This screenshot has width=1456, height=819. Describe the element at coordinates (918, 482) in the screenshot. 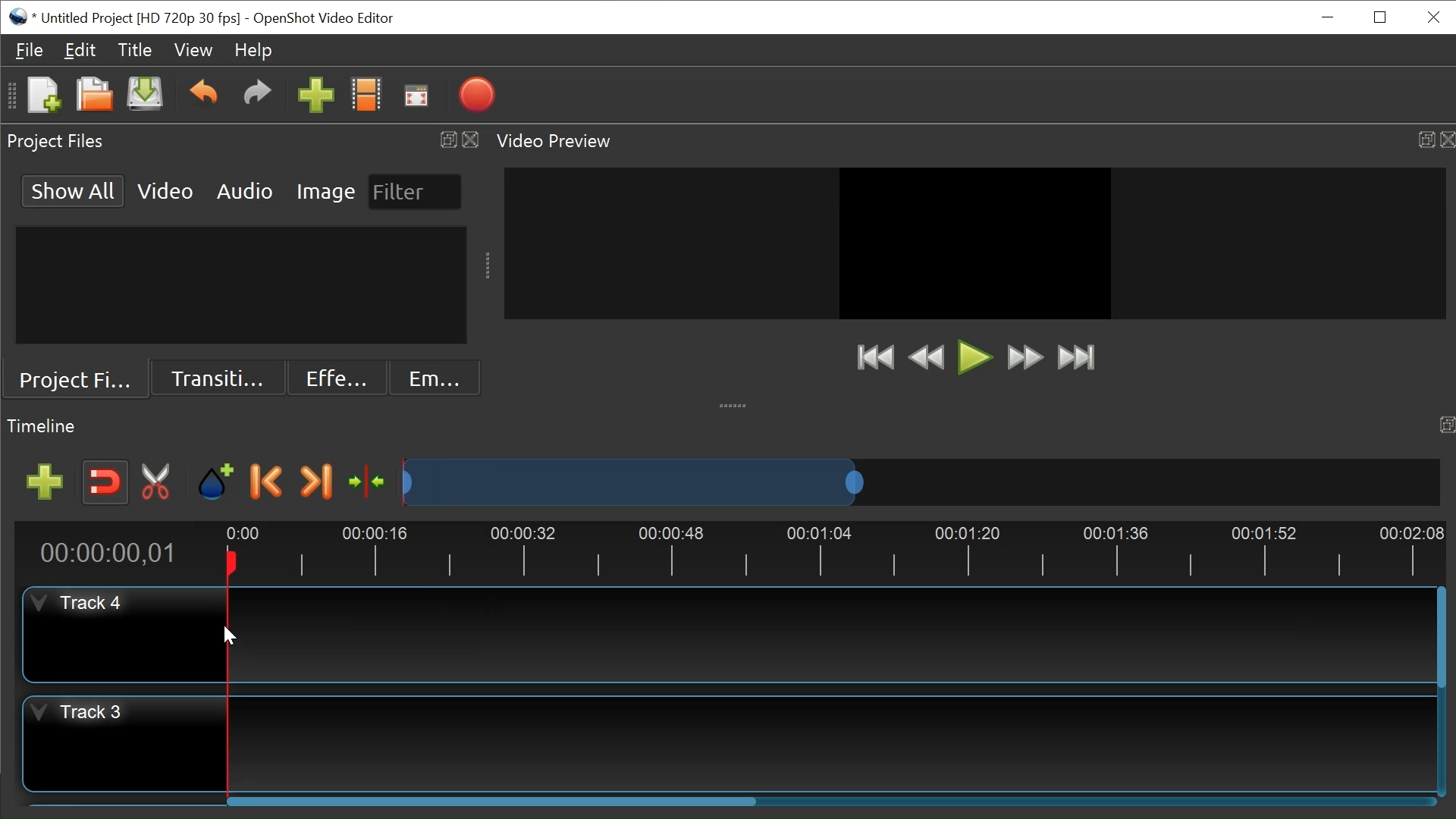

I see `Zoom Slider` at that location.